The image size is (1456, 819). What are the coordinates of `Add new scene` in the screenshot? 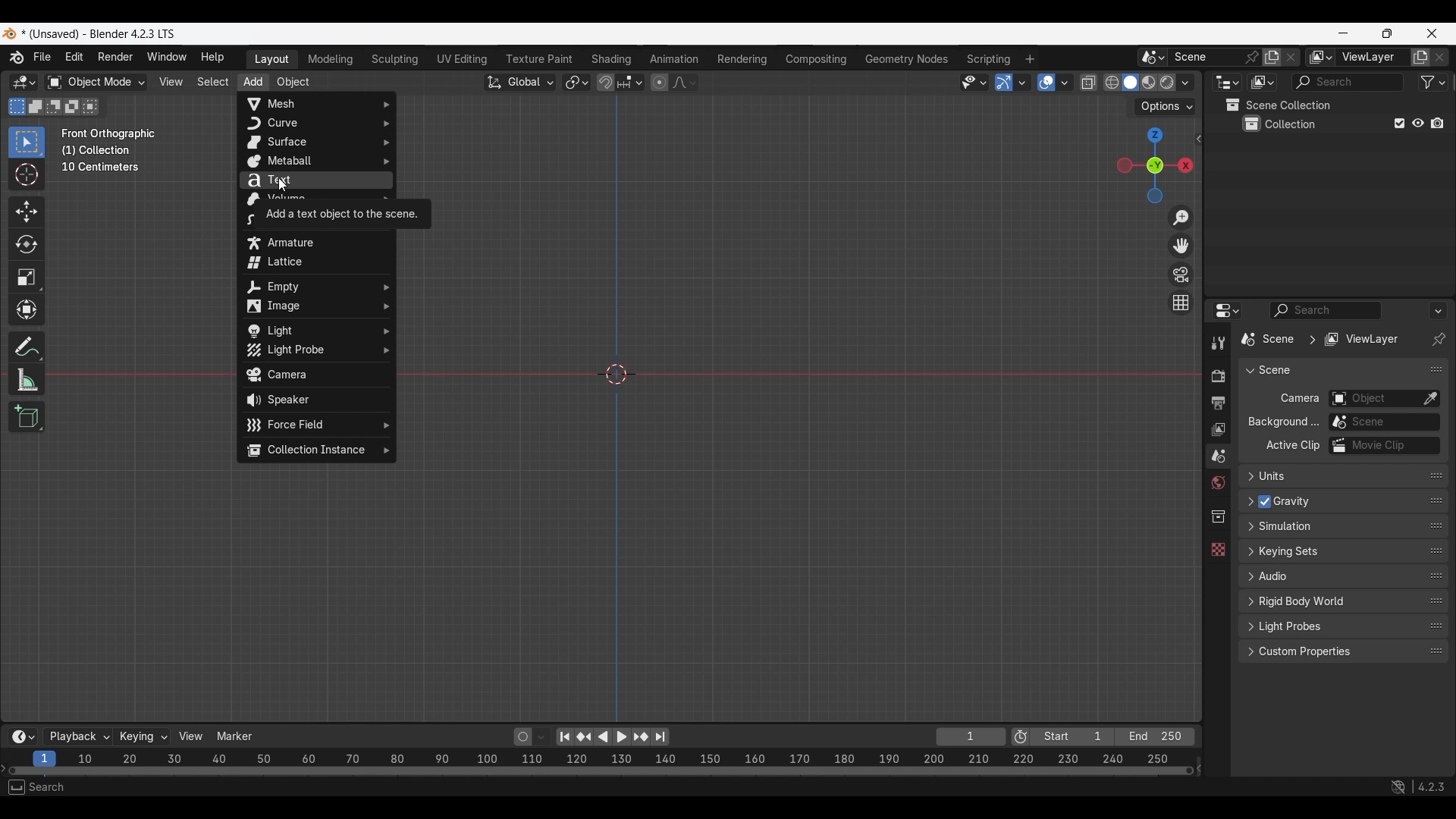 It's located at (1272, 58).